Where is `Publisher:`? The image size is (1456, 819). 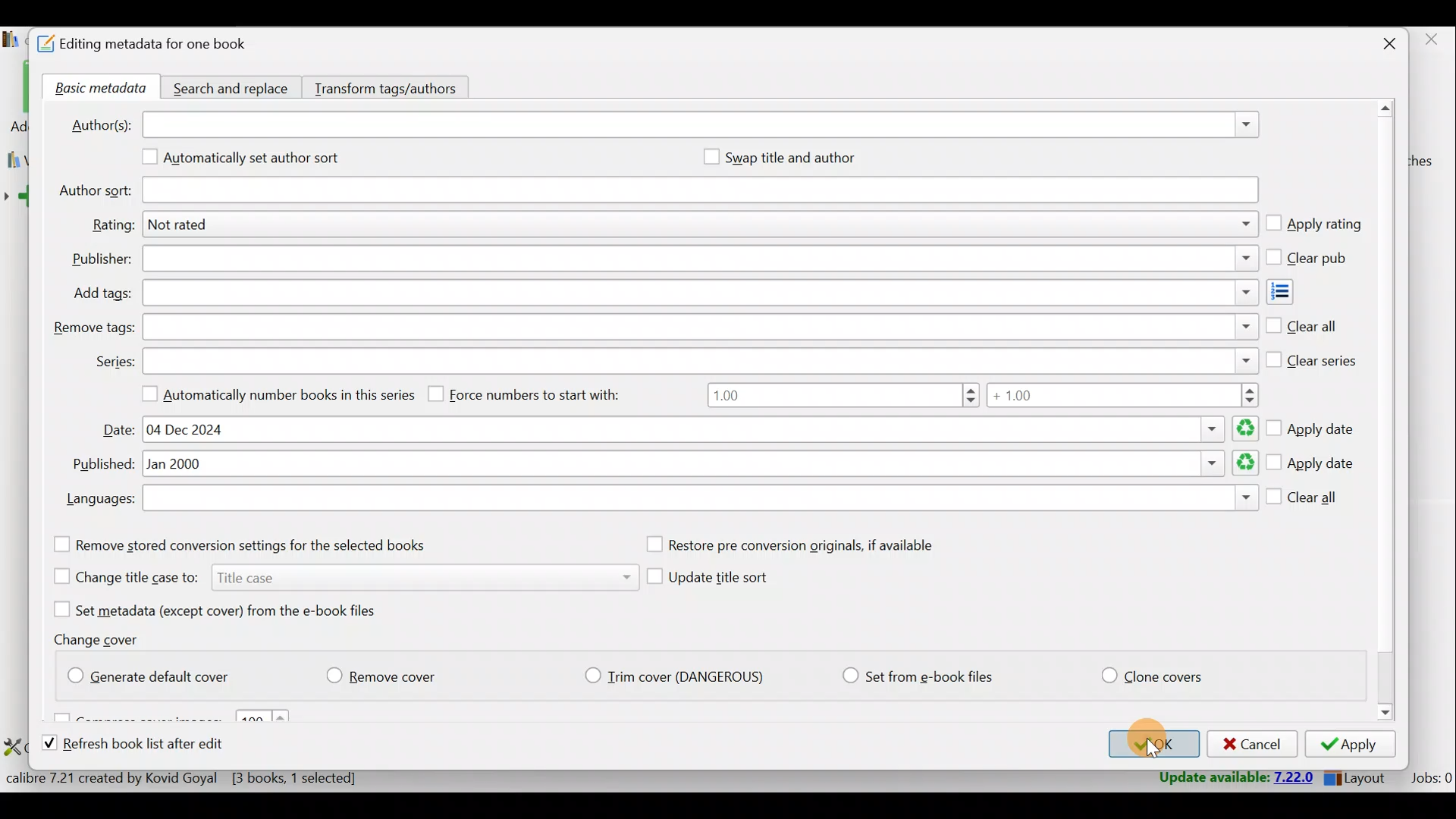 Publisher: is located at coordinates (102, 259).